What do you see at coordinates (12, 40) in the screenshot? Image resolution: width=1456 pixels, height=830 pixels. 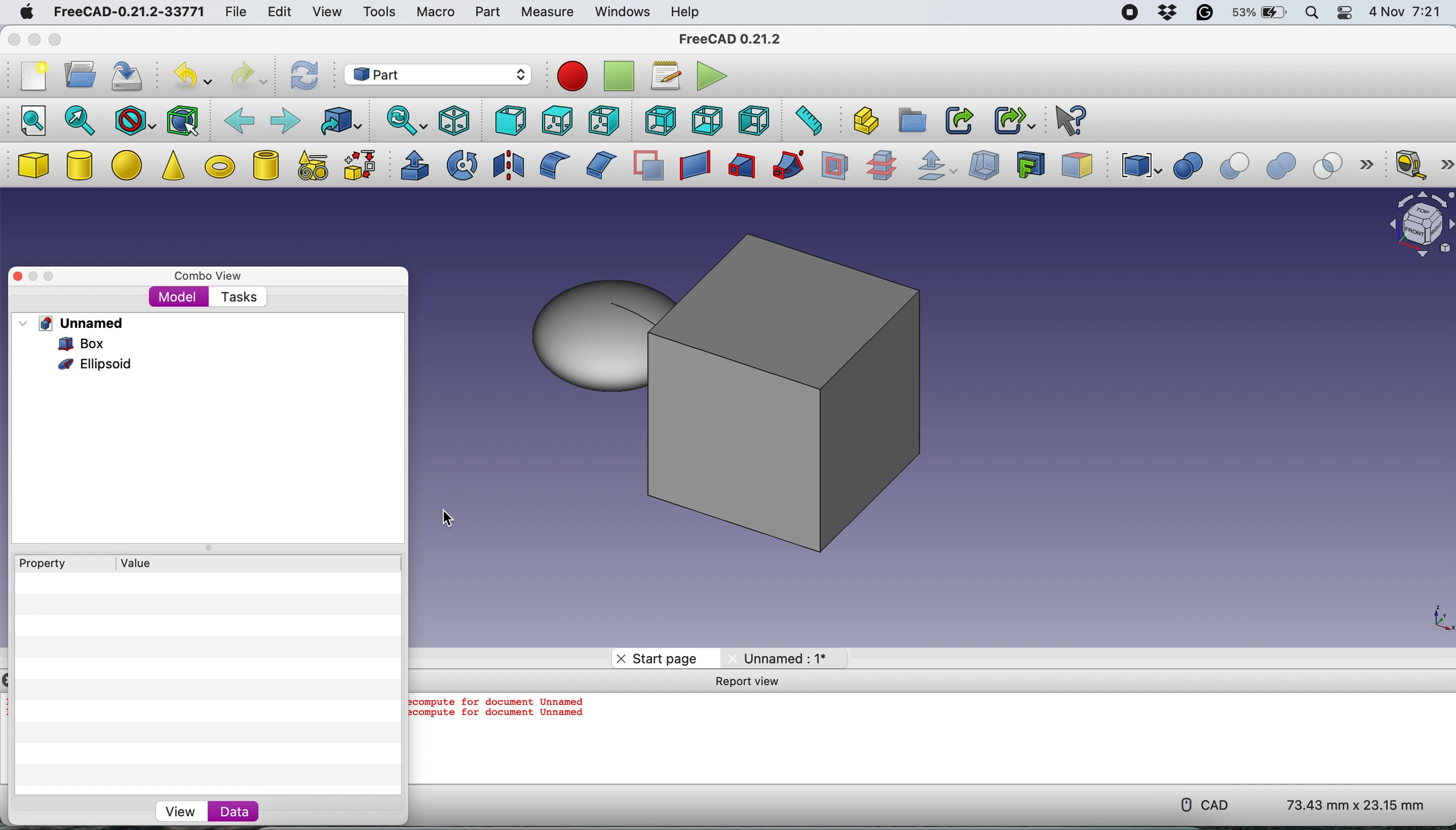 I see `close` at bounding box center [12, 40].